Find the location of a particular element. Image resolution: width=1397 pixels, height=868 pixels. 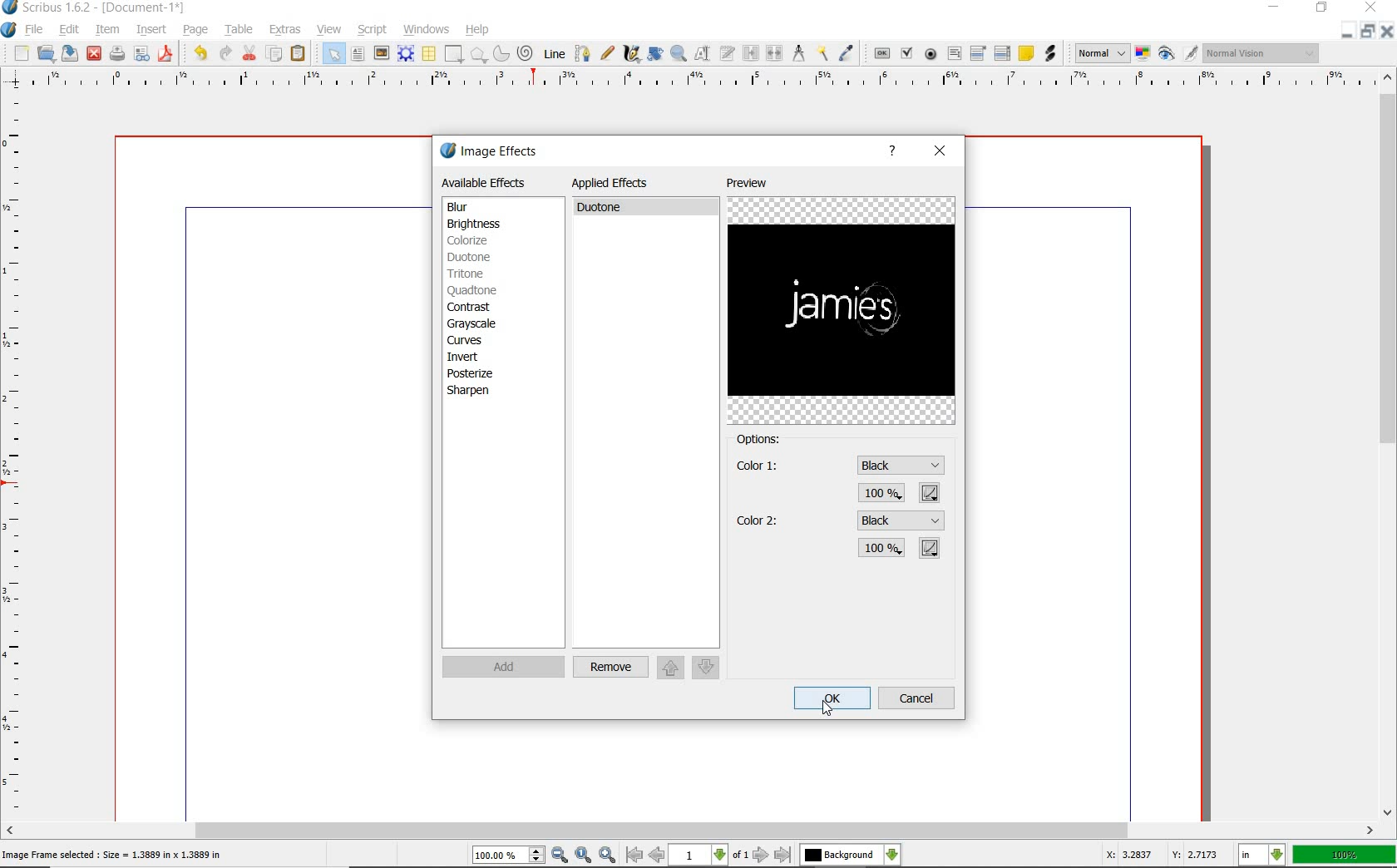

file is located at coordinates (36, 29).